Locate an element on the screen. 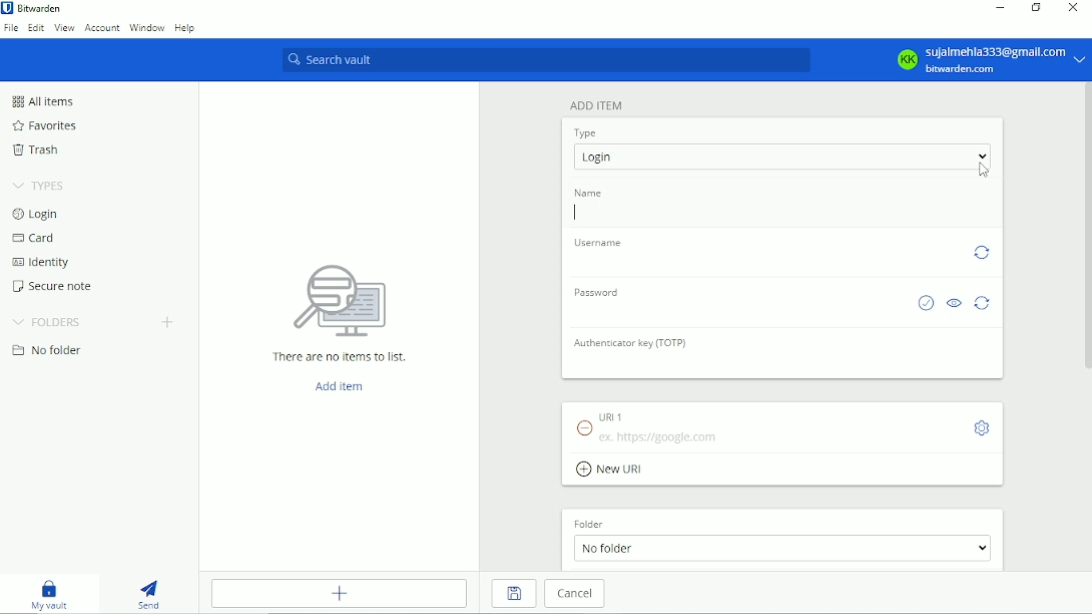 This screenshot has width=1092, height=614. Toggle visibility is located at coordinates (954, 303).